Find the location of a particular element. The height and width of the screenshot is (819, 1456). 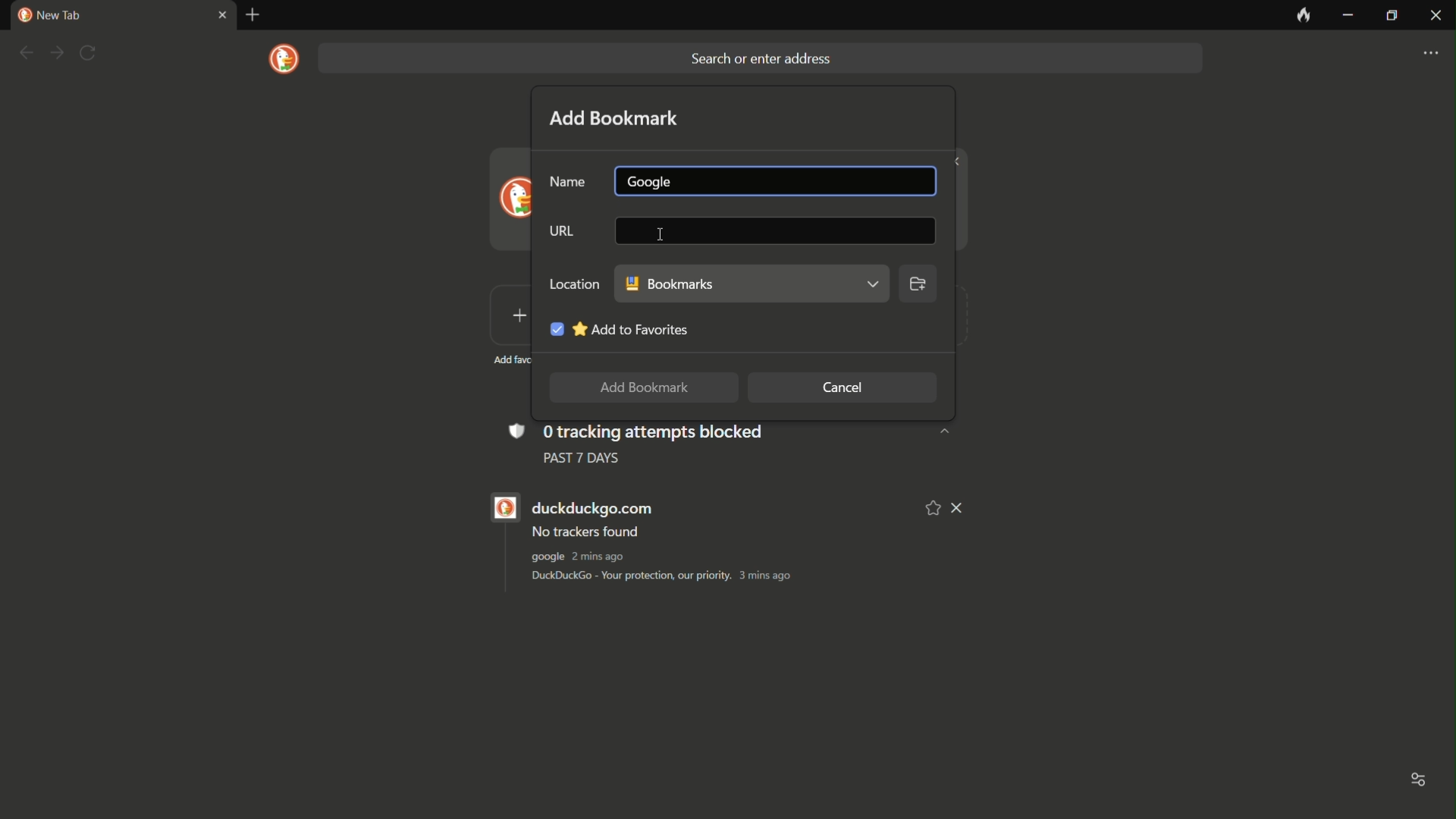

new tab is located at coordinates (253, 15).